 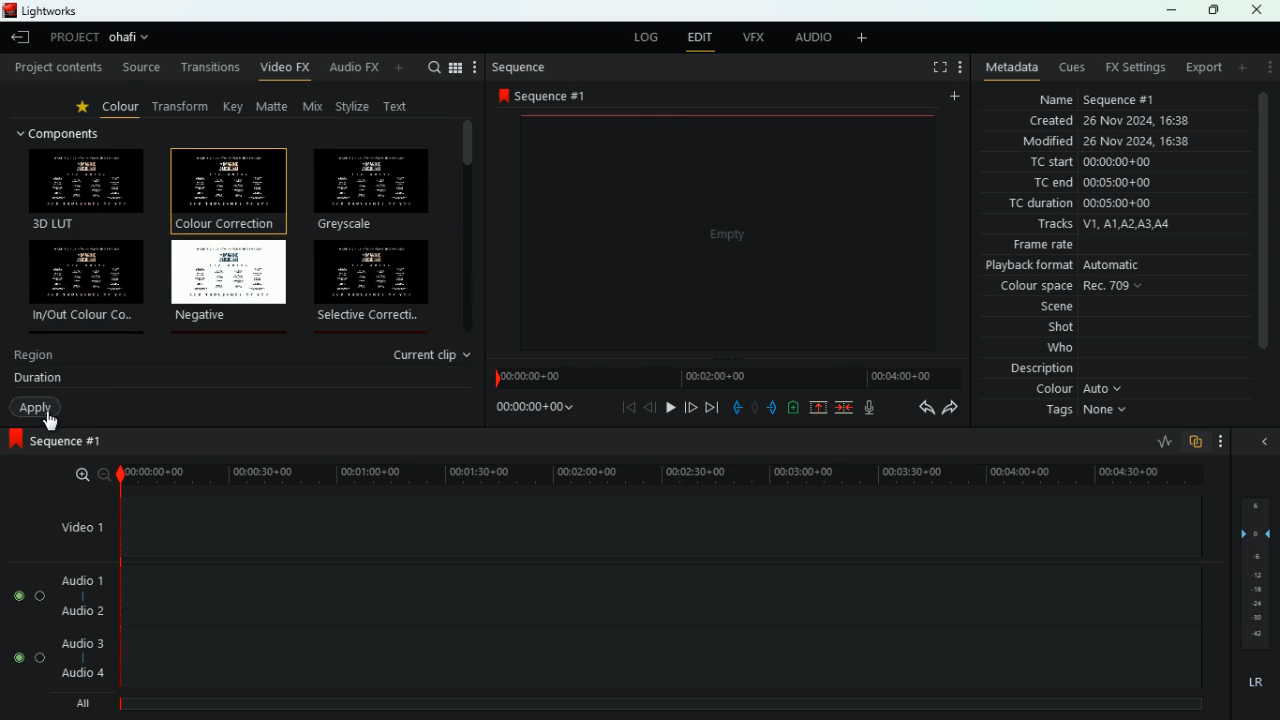 What do you see at coordinates (726, 374) in the screenshot?
I see `time` at bounding box center [726, 374].